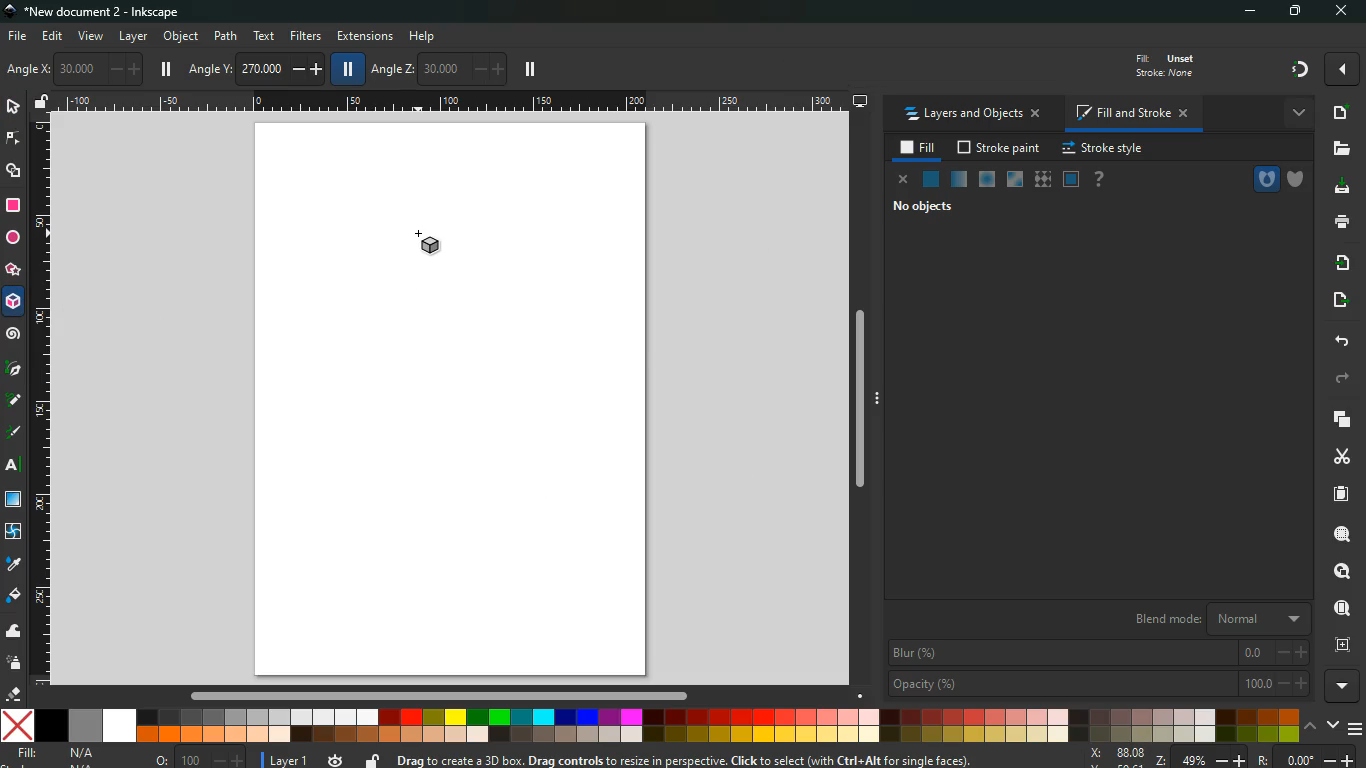 The image size is (1366, 768). What do you see at coordinates (1301, 68) in the screenshot?
I see `gradient` at bounding box center [1301, 68].